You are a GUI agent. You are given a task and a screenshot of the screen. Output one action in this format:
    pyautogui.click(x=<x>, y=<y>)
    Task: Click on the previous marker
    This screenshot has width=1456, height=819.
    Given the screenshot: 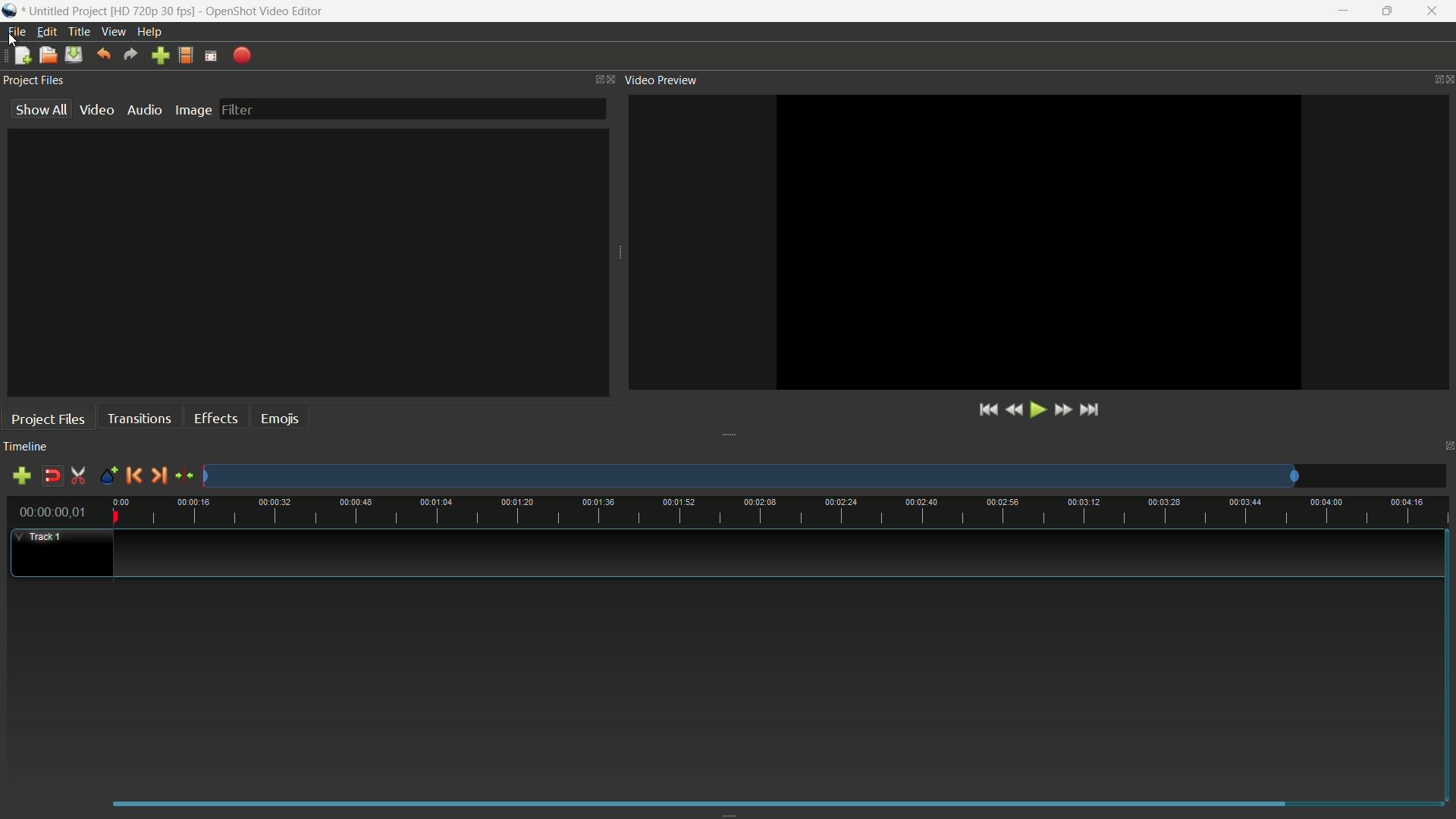 What is the action you would take?
    pyautogui.click(x=131, y=475)
    